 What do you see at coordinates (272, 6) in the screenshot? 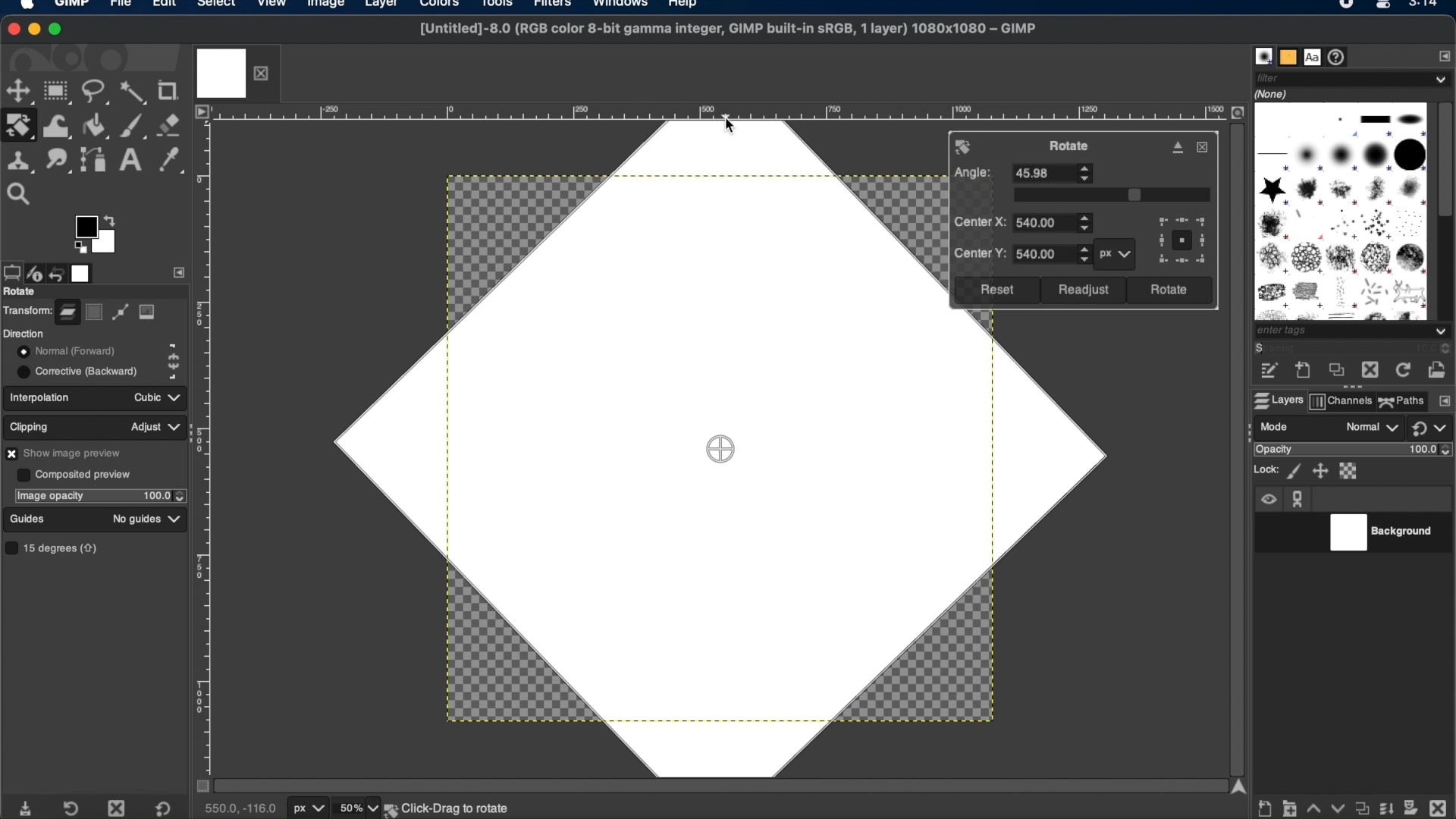
I see `view` at bounding box center [272, 6].